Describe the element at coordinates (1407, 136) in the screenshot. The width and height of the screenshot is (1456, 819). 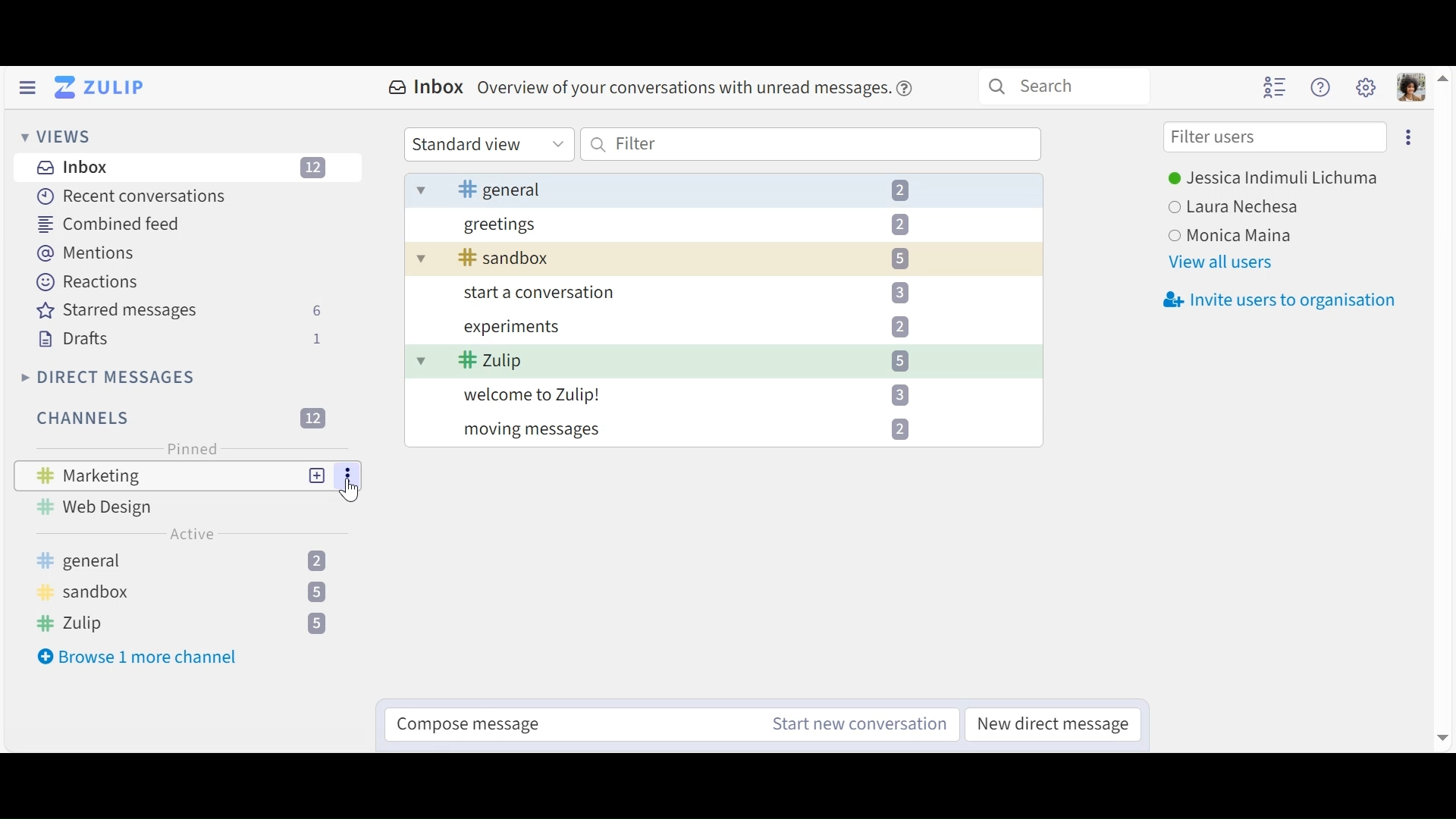
I see `Eclipse` at that location.